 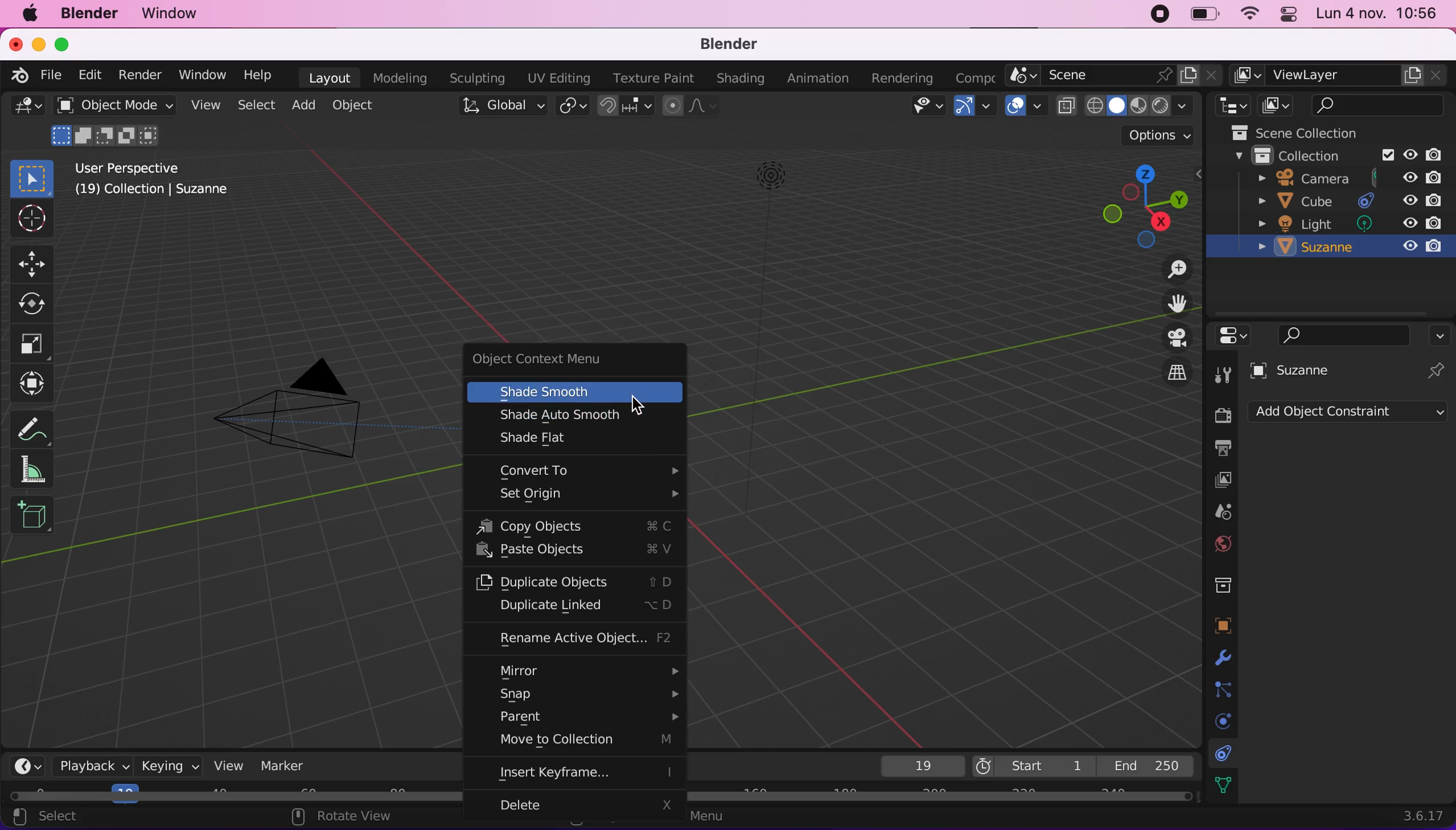 I want to click on Material preview display, so click(x=1139, y=104).